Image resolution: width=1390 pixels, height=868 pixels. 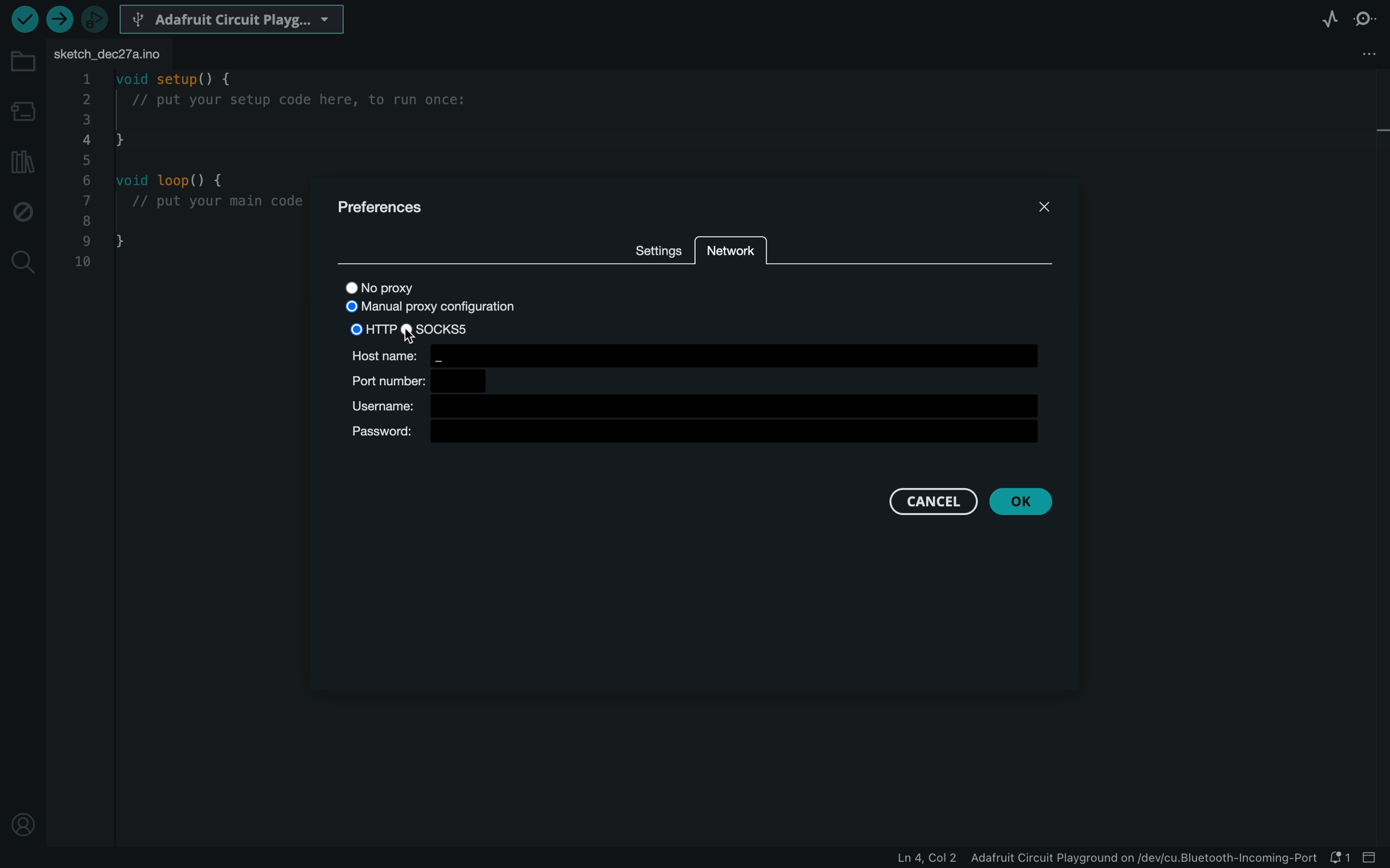 What do you see at coordinates (96, 19) in the screenshot?
I see `debugger` at bounding box center [96, 19].